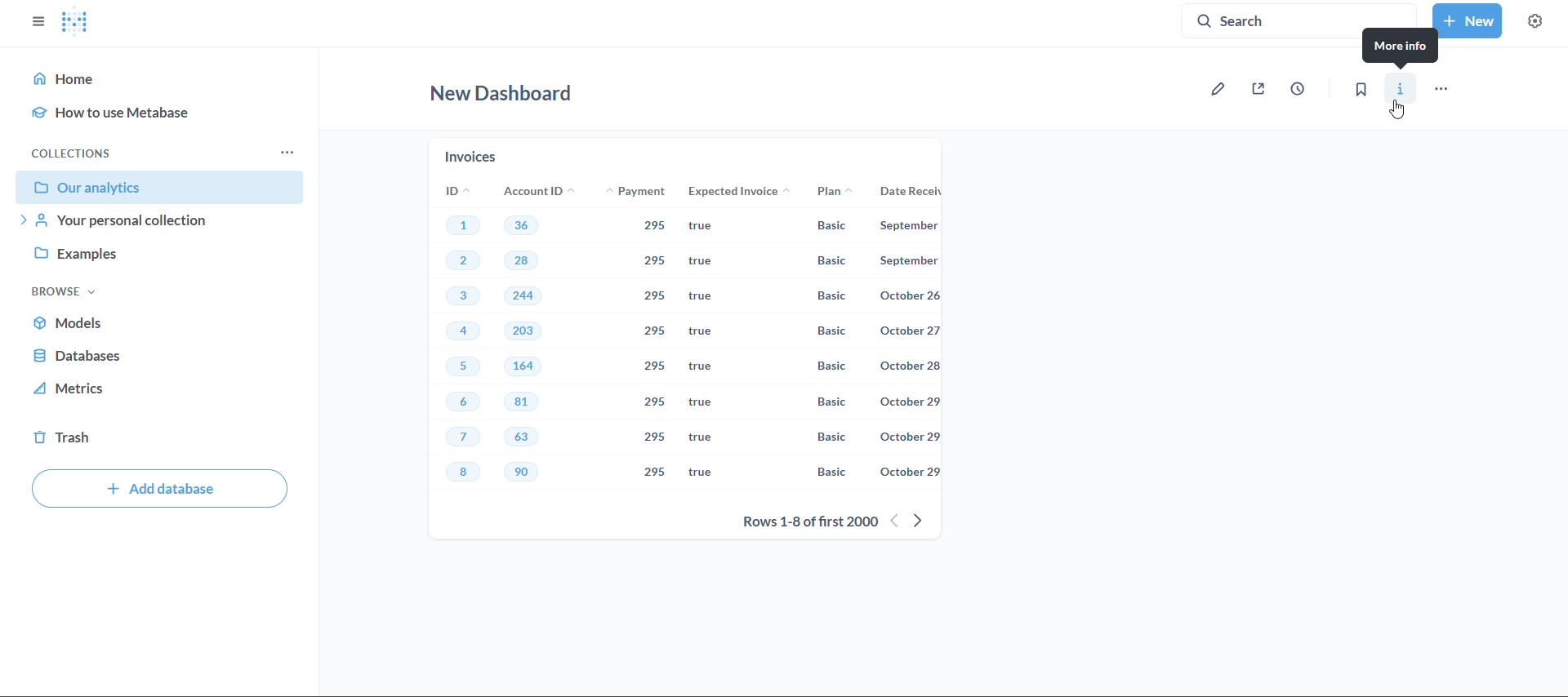  I want to click on 295, so click(651, 227).